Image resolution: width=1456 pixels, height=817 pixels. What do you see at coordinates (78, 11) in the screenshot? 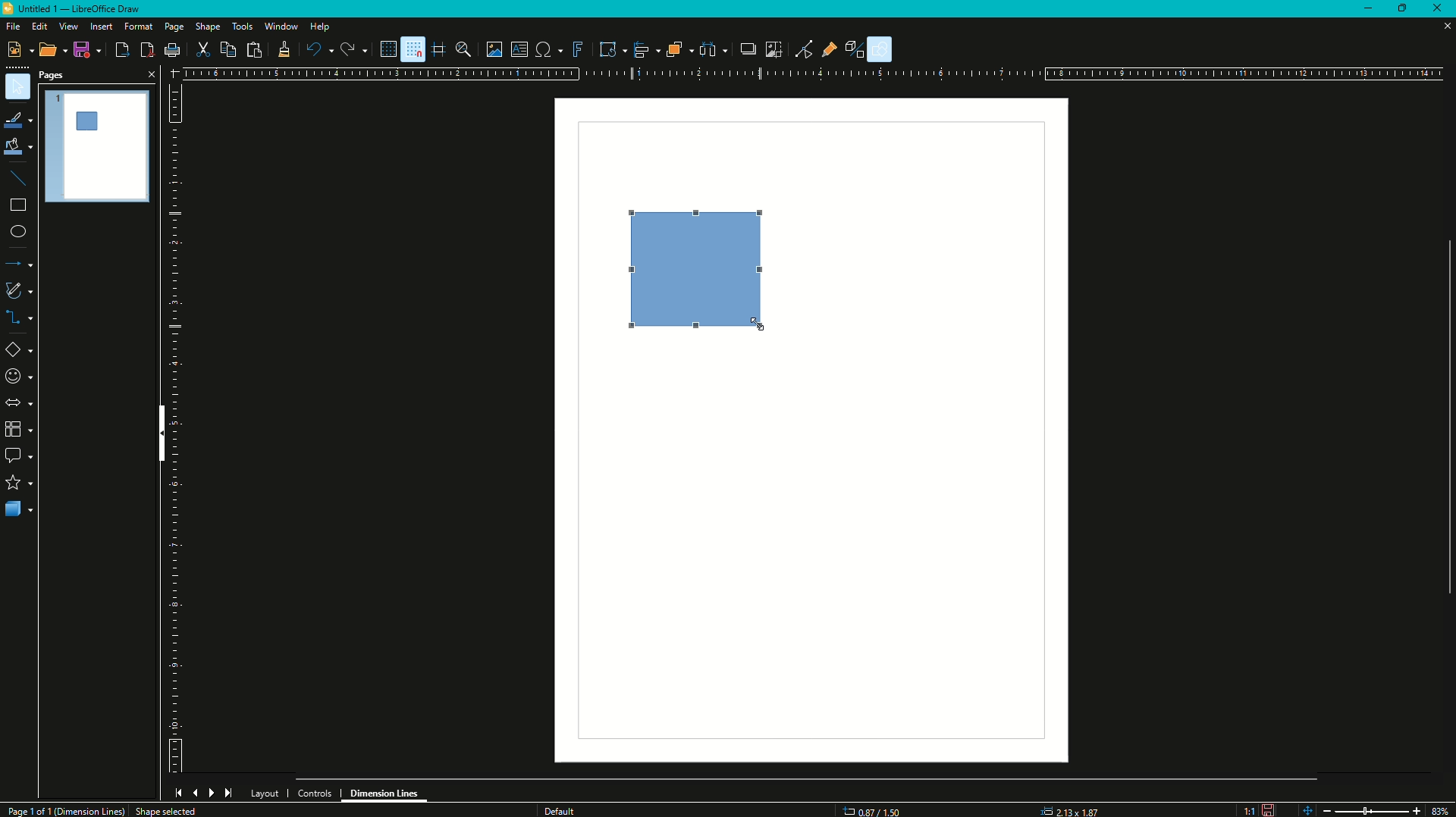
I see `Untitled` at bounding box center [78, 11].